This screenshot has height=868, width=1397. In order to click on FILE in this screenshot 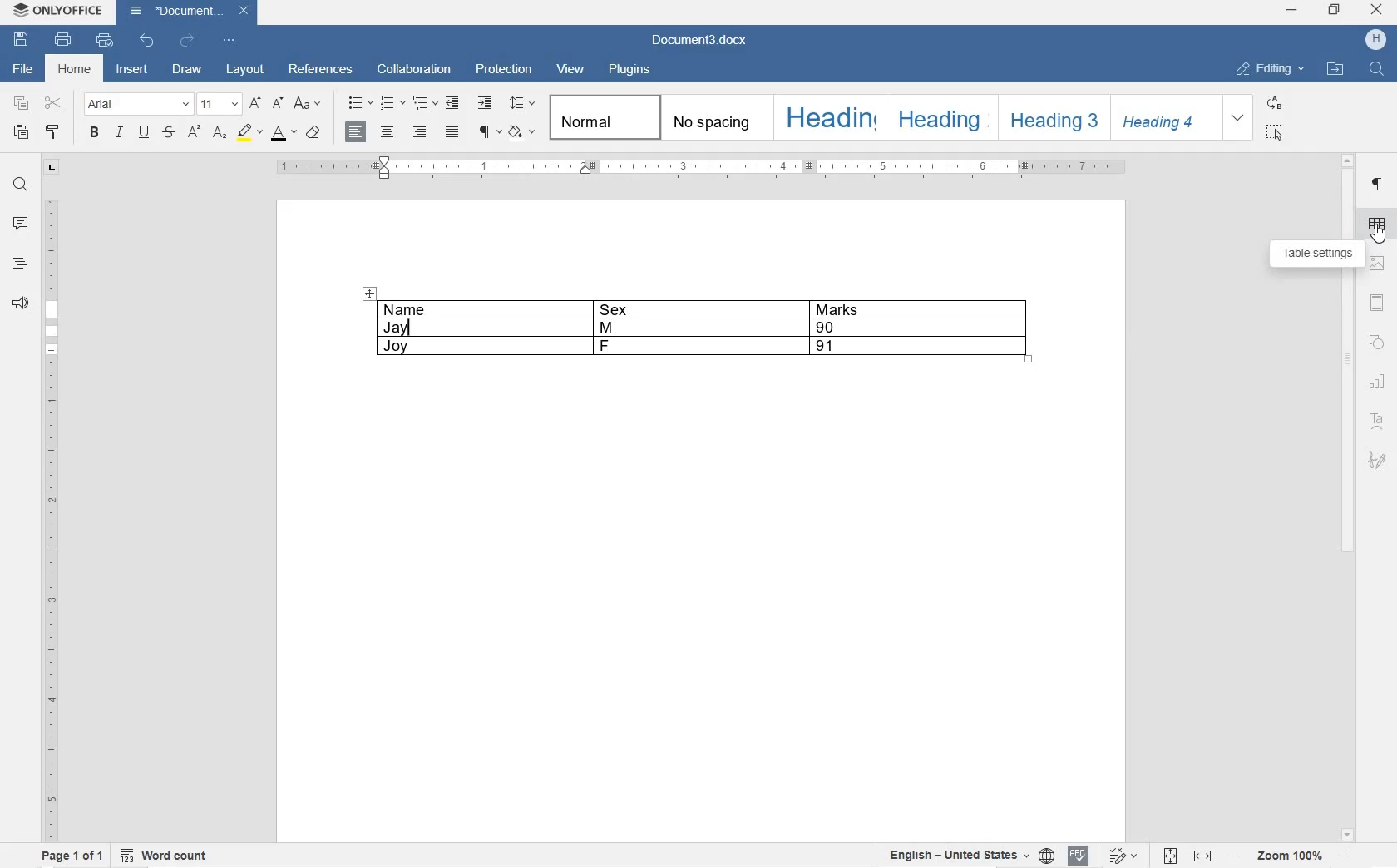, I will do `click(20, 70)`.